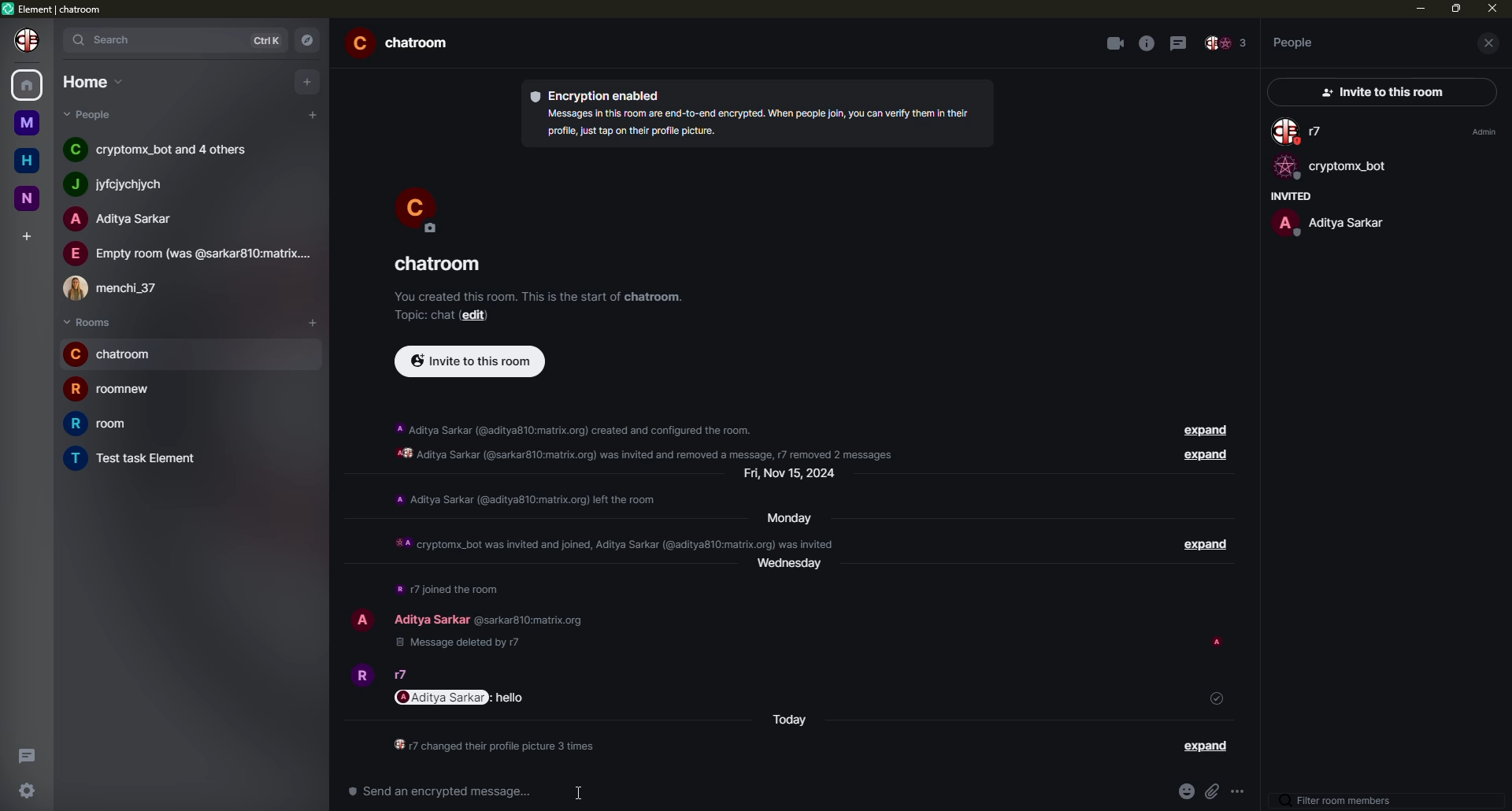 This screenshot has height=811, width=1512. What do you see at coordinates (57, 10) in the screenshot?
I see `element` at bounding box center [57, 10].